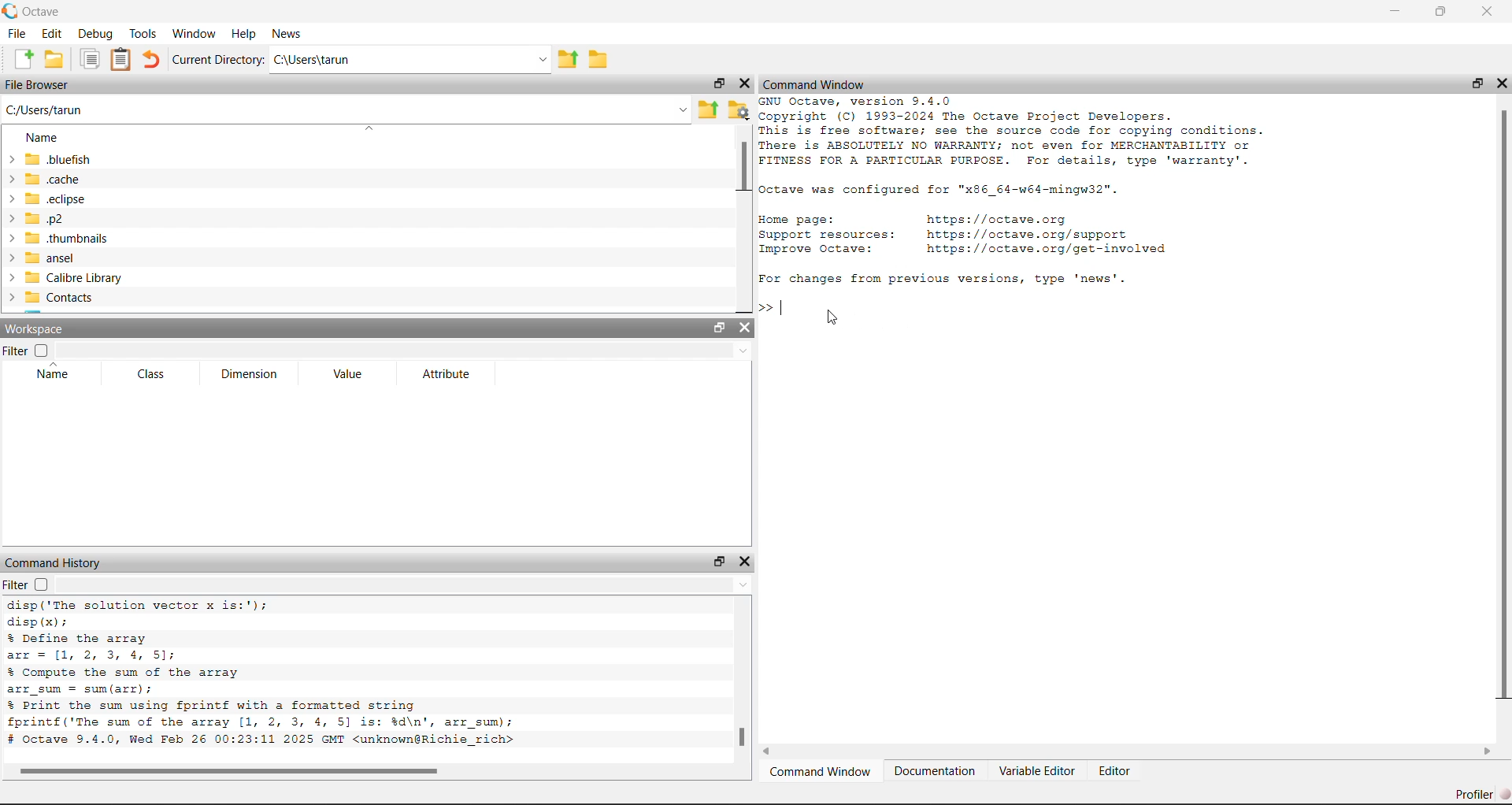  What do you see at coordinates (1486, 752) in the screenshot?
I see `Scroll bar right` at bounding box center [1486, 752].